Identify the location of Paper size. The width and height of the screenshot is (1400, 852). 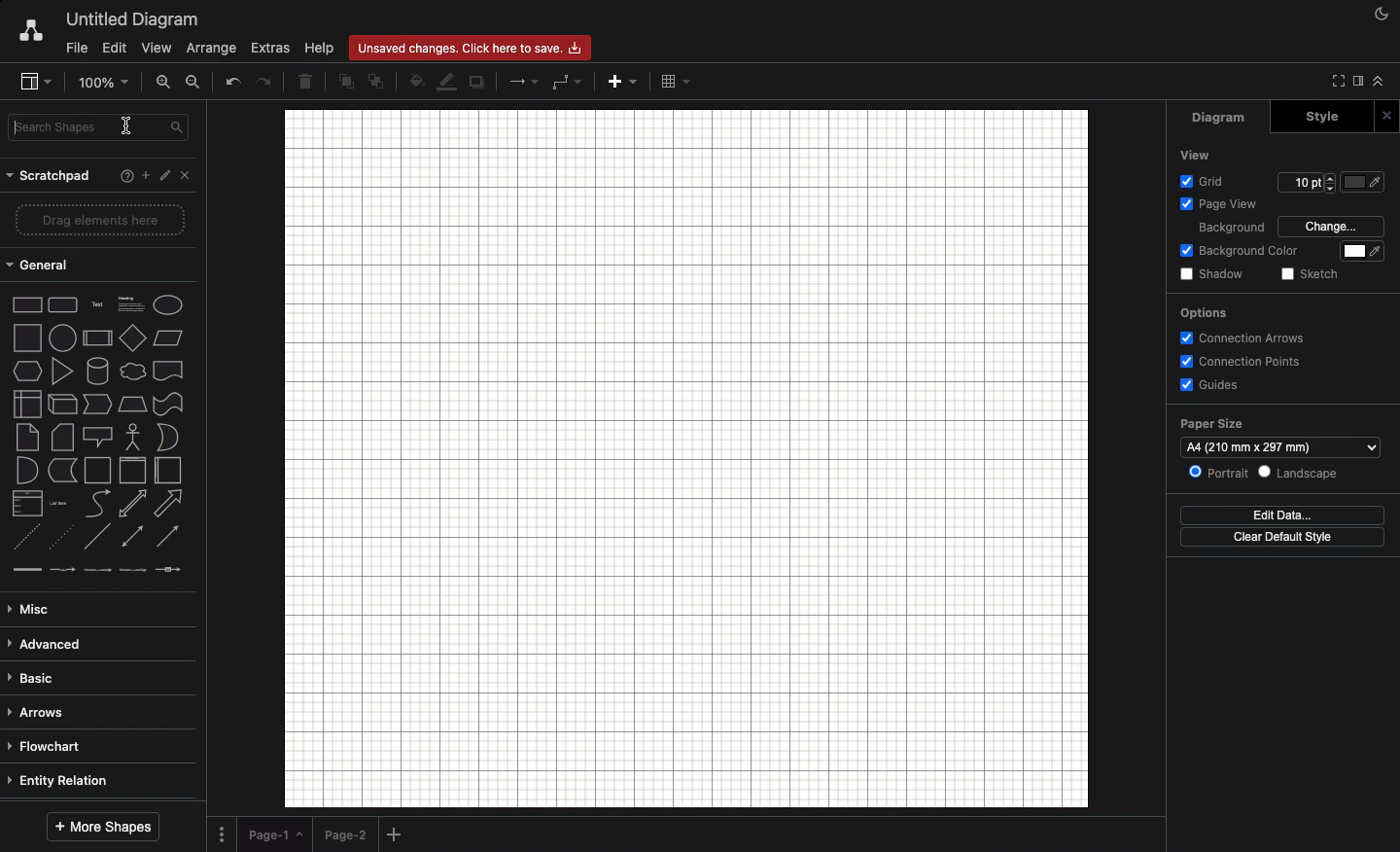
(1279, 434).